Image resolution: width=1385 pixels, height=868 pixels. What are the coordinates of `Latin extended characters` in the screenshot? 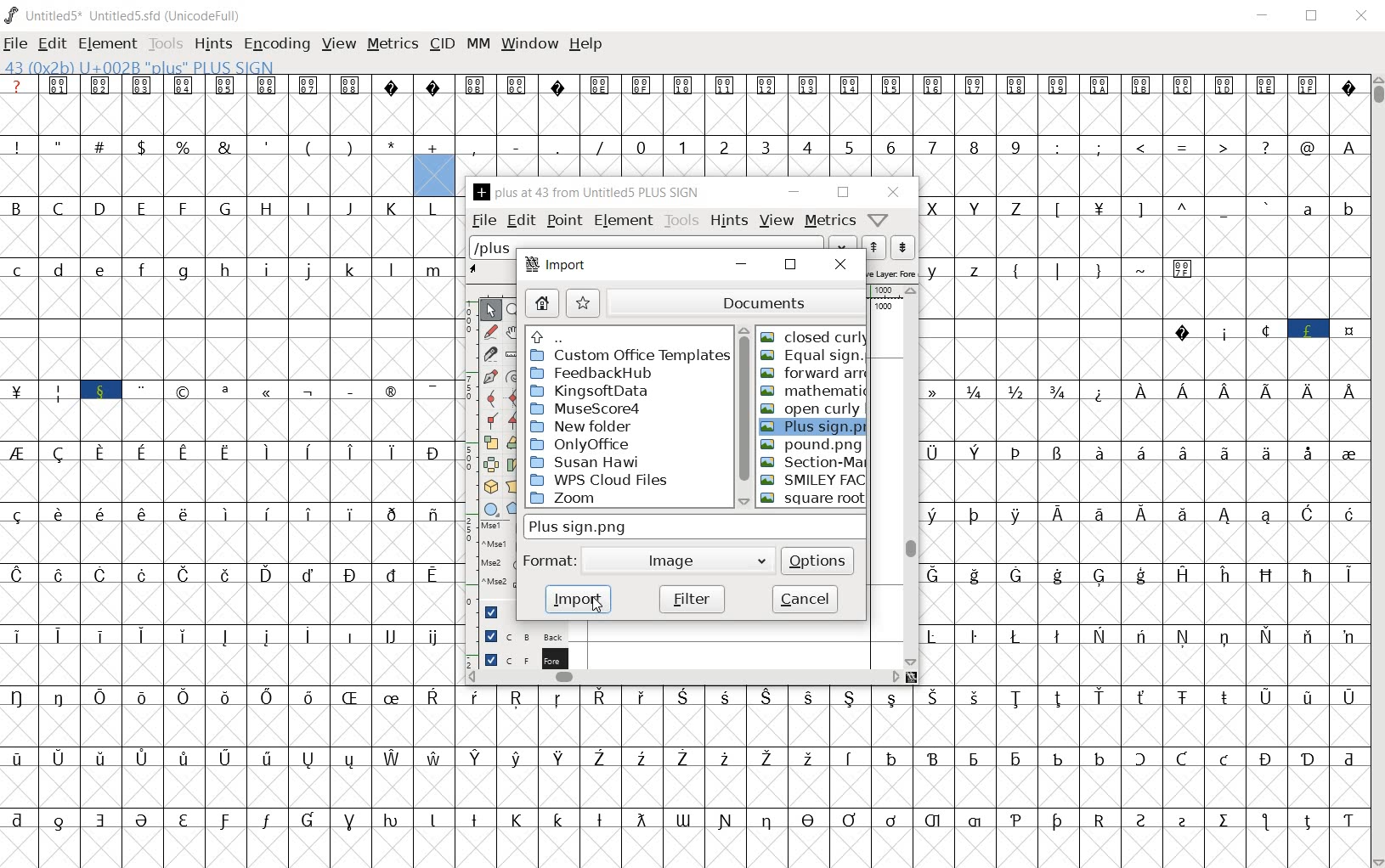 It's located at (185, 657).